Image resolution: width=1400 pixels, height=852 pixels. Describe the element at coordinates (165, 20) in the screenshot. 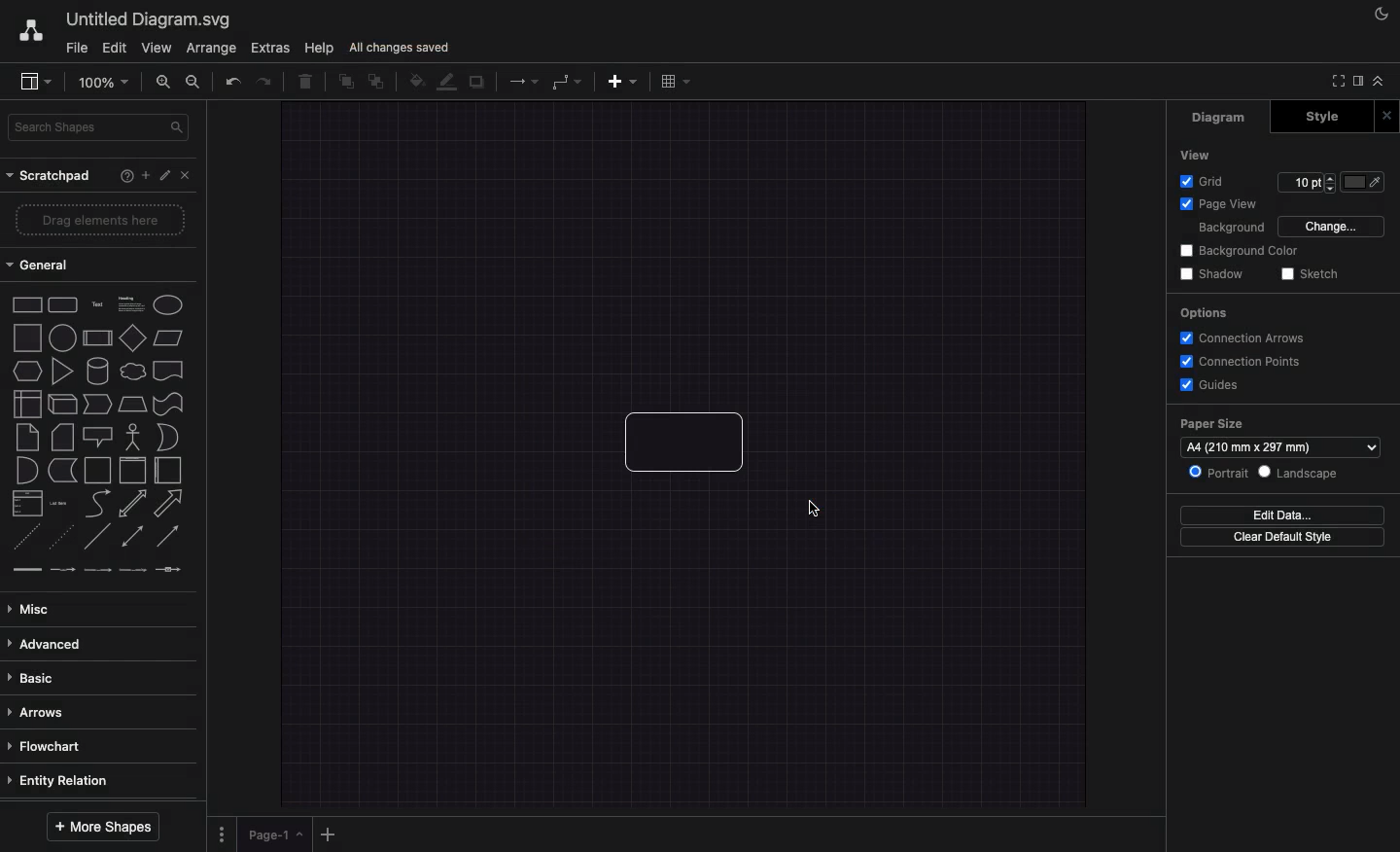

I see `Untitled diagram.draw.io` at that location.